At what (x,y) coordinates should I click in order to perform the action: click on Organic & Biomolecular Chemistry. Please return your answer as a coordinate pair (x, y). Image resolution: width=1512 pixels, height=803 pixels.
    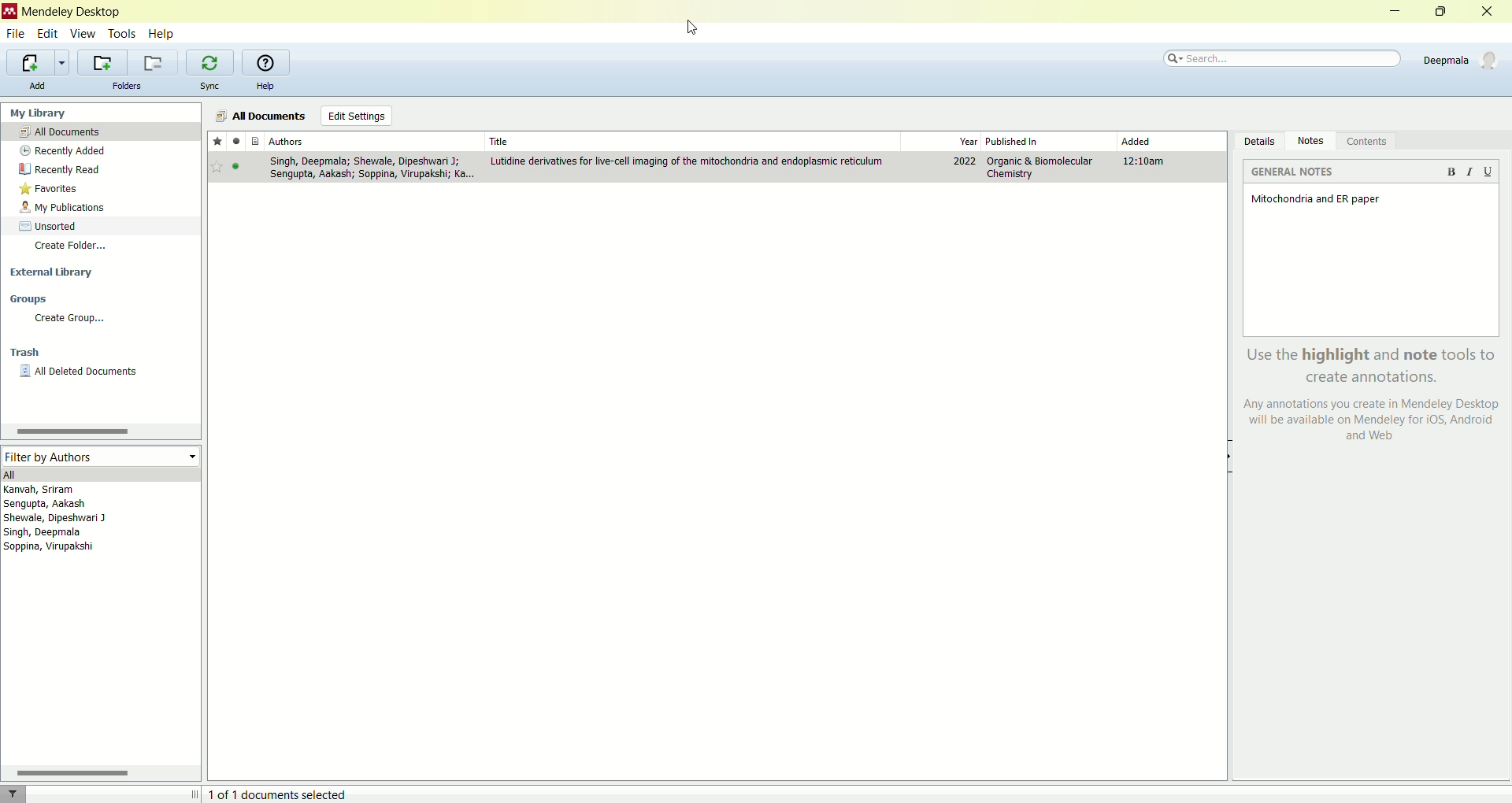
    Looking at the image, I should click on (1039, 167).